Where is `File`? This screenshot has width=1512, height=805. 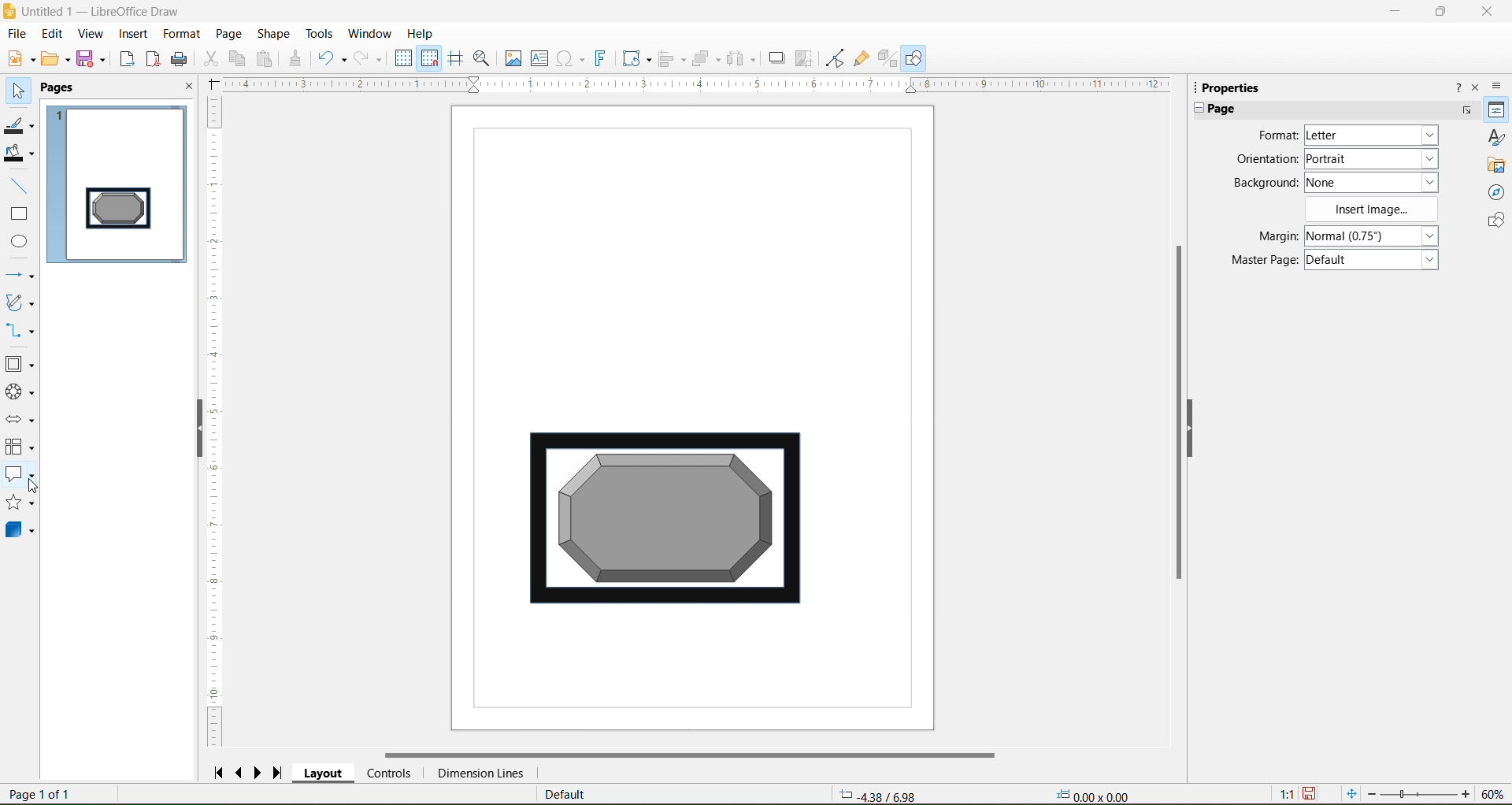
File is located at coordinates (16, 33).